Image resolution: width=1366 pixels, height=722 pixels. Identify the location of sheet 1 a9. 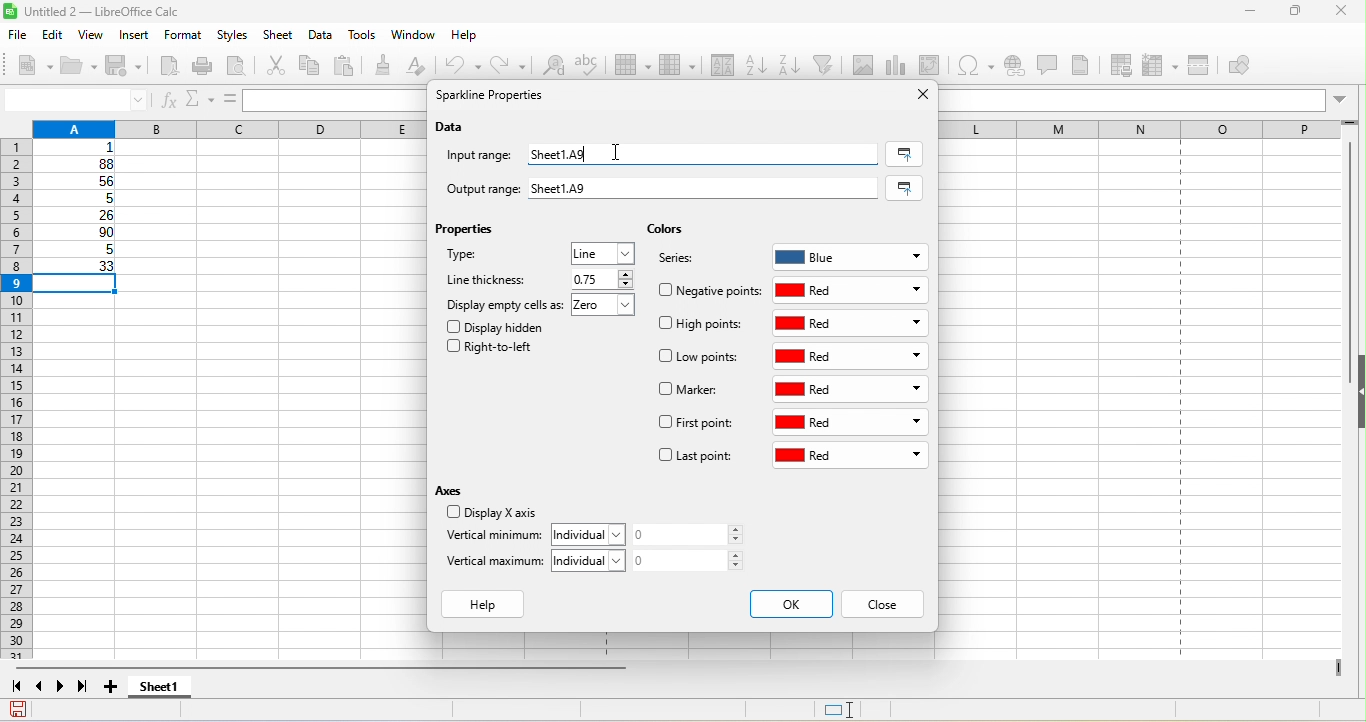
(698, 153).